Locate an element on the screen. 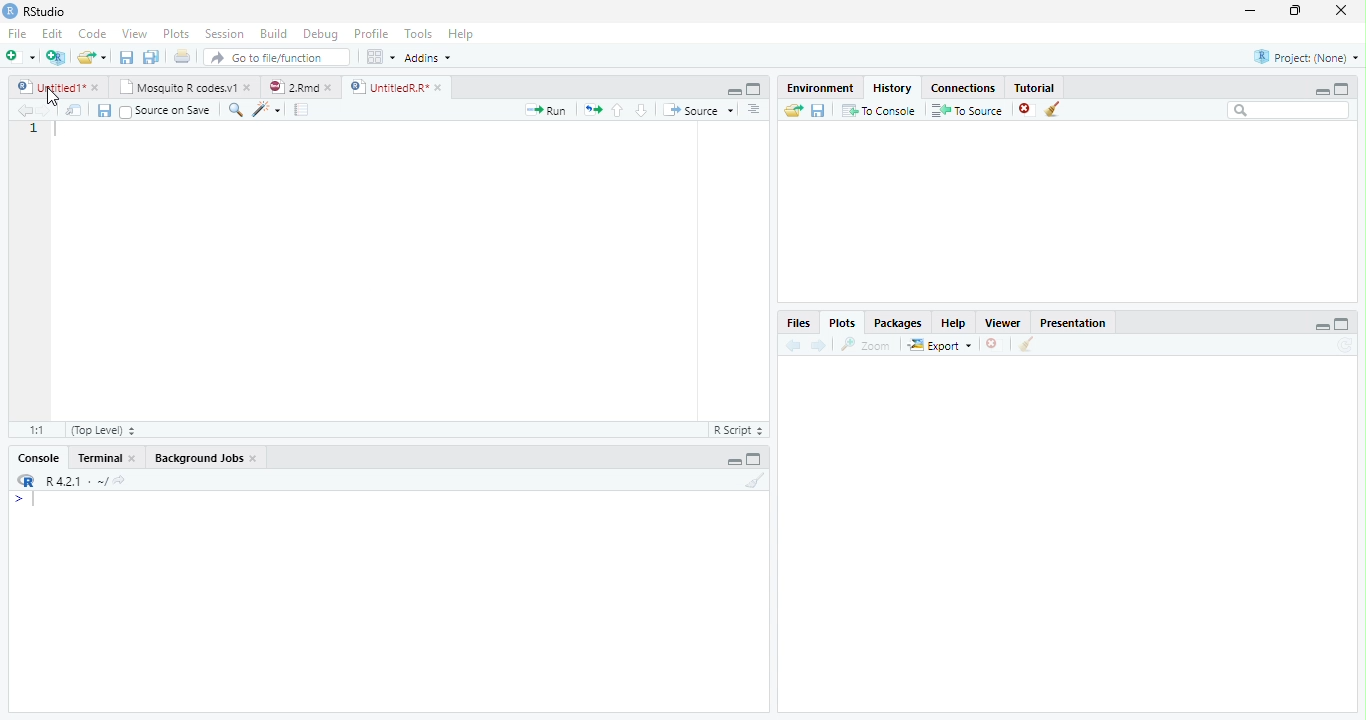  History is located at coordinates (892, 88).